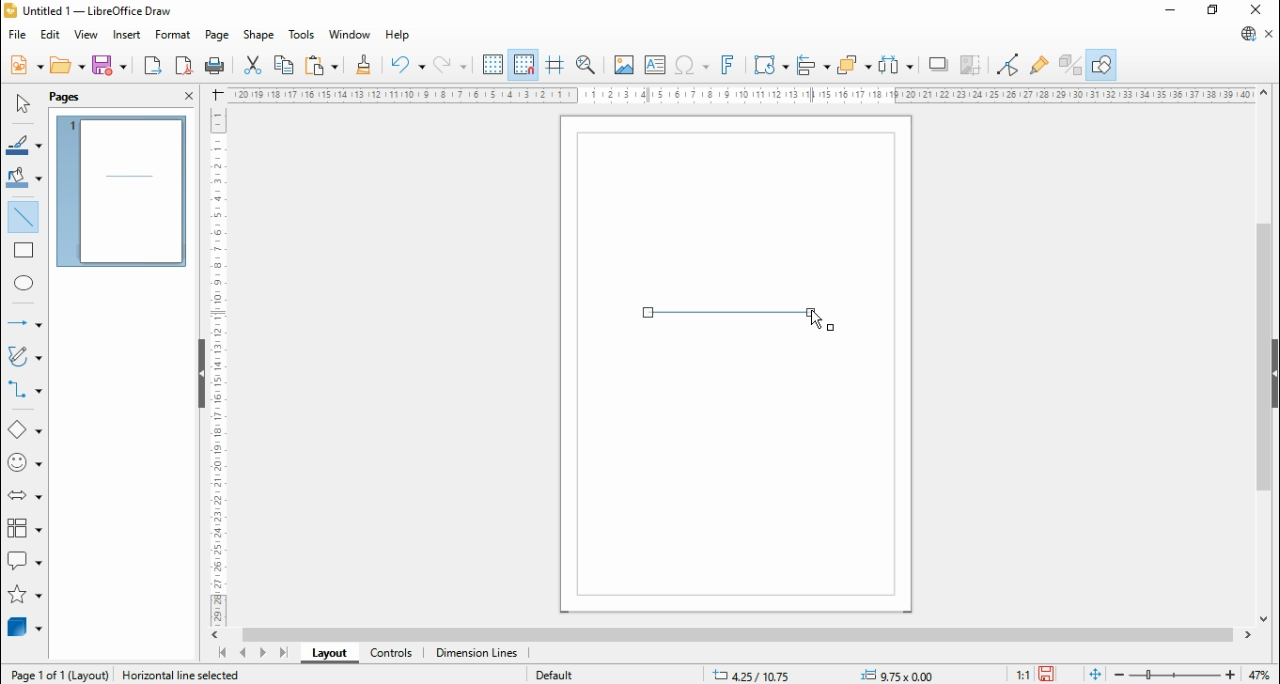 Image resolution: width=1280 pixels, height=684 pixels. What do you see at coordinates (1021, 675) in the screenshot?
I see `1:1` at bounding box center [1021, 675].